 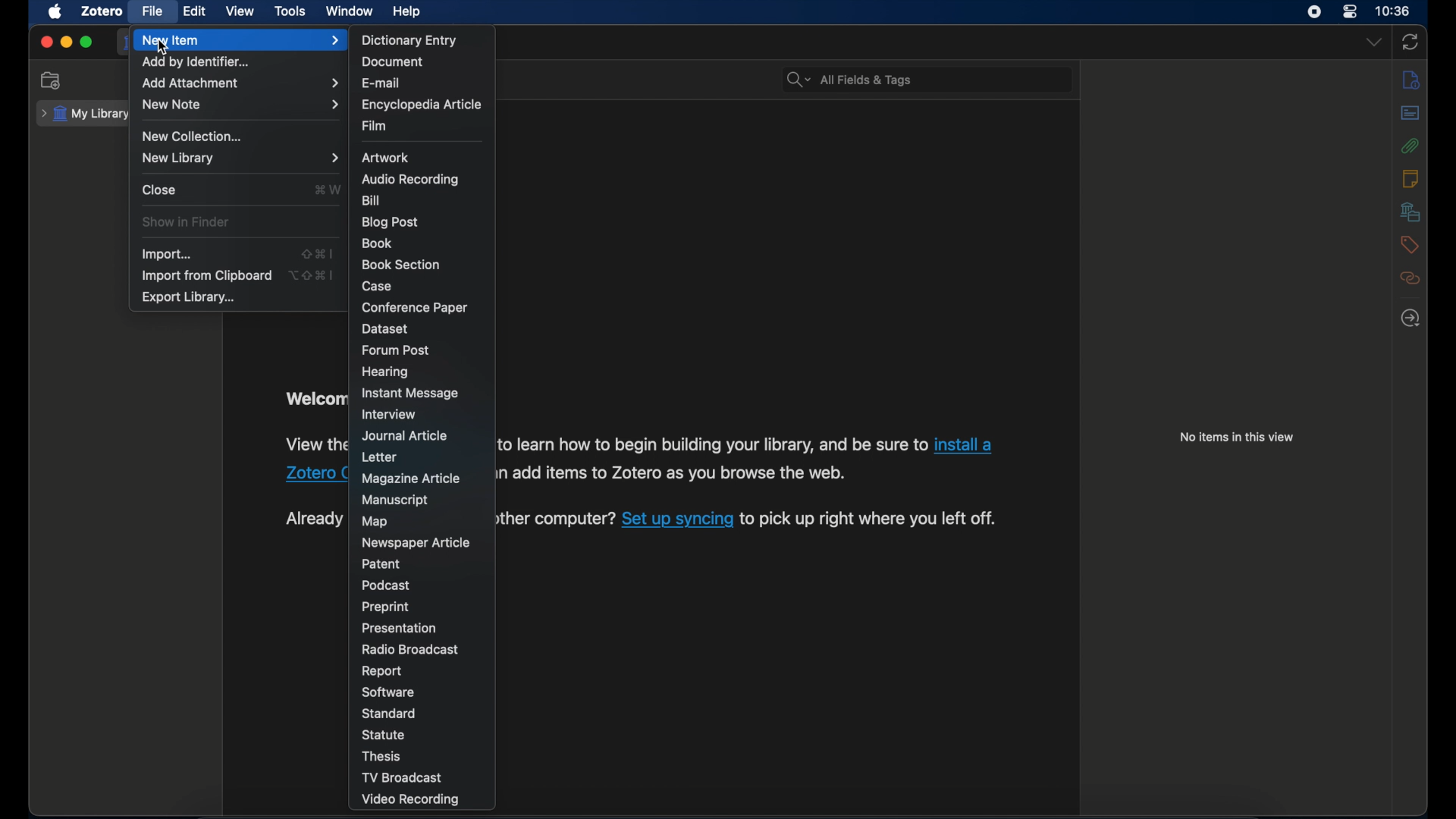 I want to click on time, so click(x=1392, y=10).